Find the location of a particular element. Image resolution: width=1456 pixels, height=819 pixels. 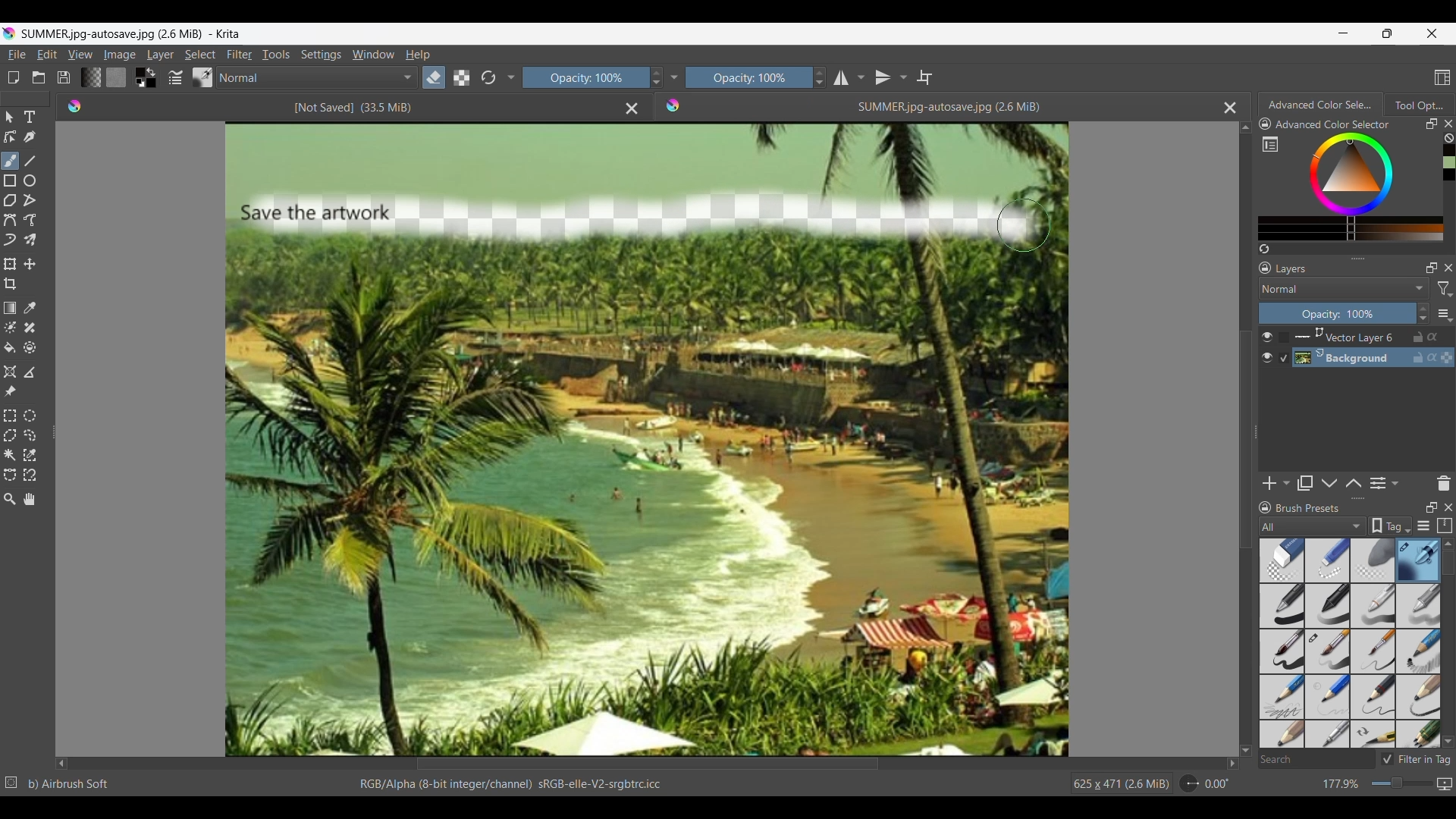

Change width of panels attached to this line is located at coordinates (52, 427).